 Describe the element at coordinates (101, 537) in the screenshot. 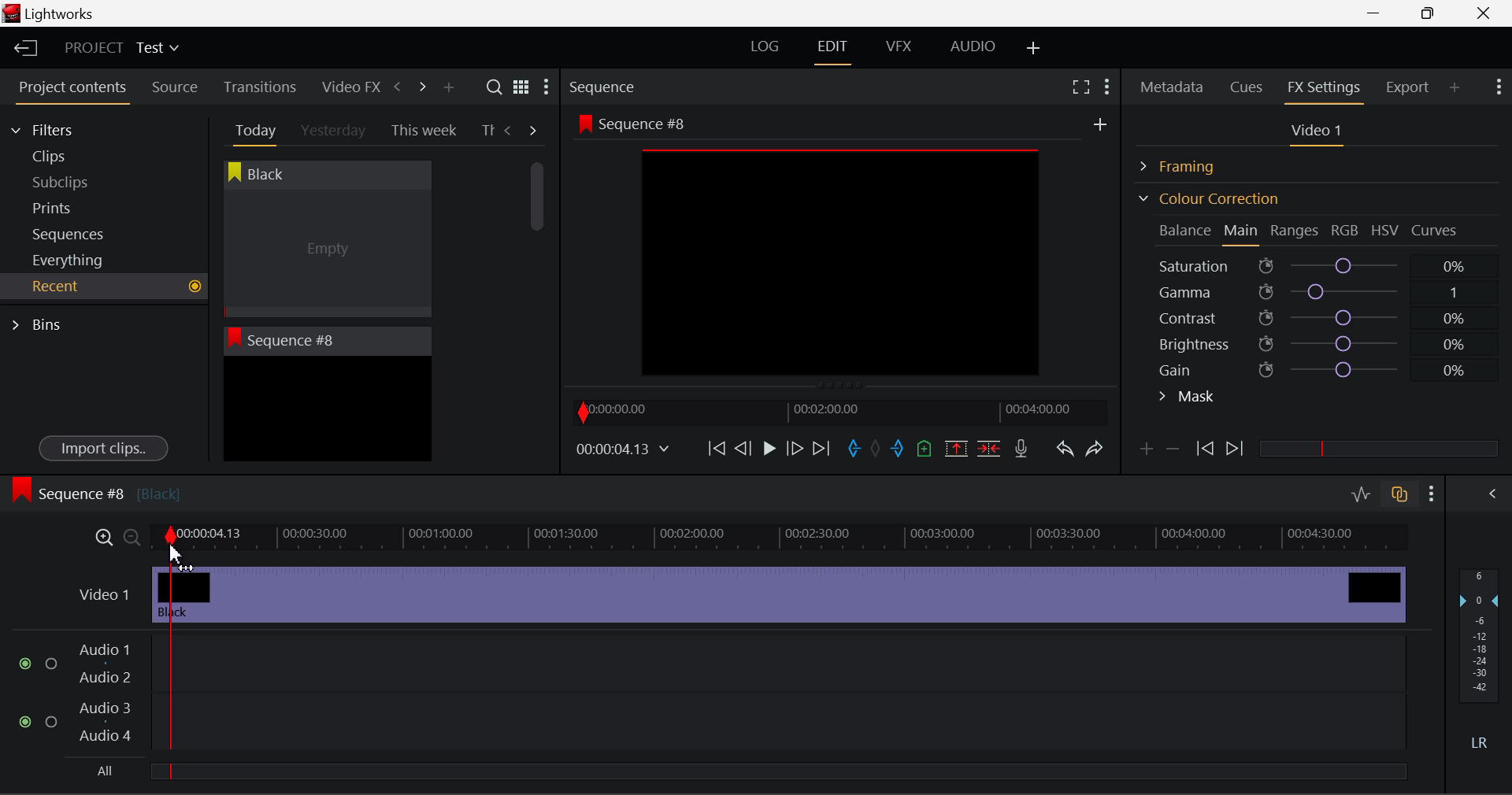

I see `Timeline Zoom In` at that location.